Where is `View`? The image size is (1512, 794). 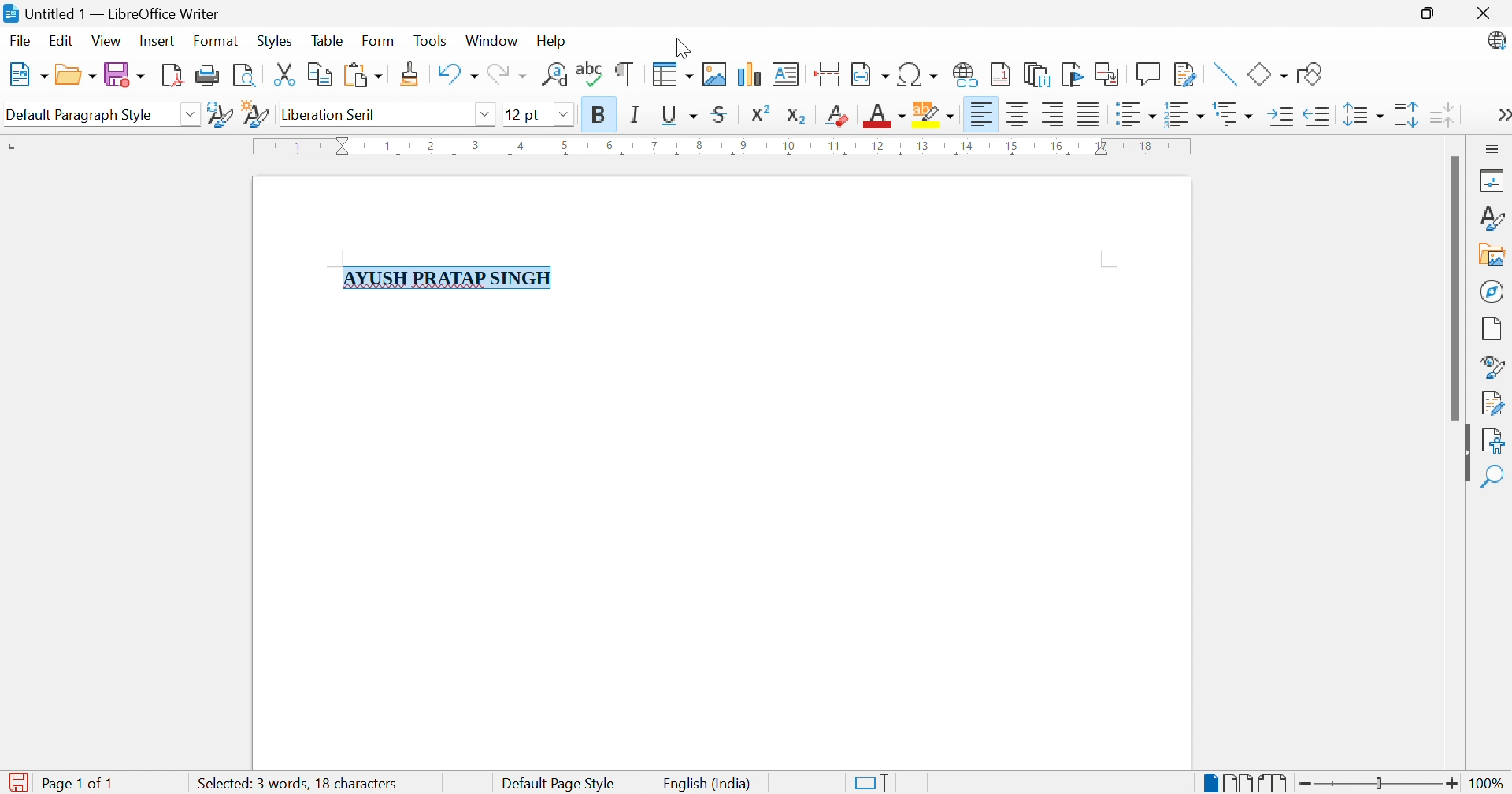 View is located at coordinates (107, 39).